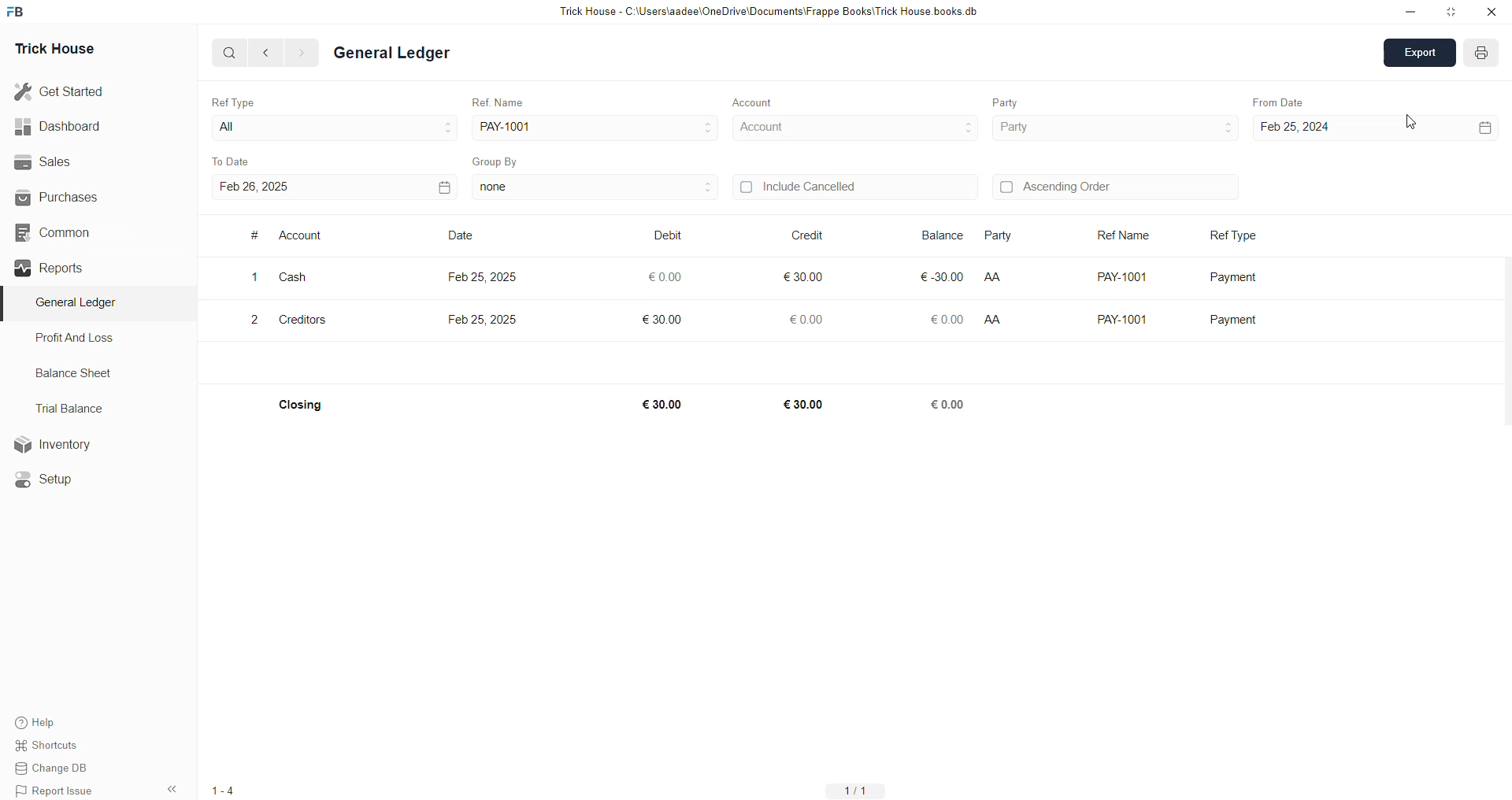  Describe the element at coordinates (61, 448) in the screenshot. I see `Inventory` at that location.